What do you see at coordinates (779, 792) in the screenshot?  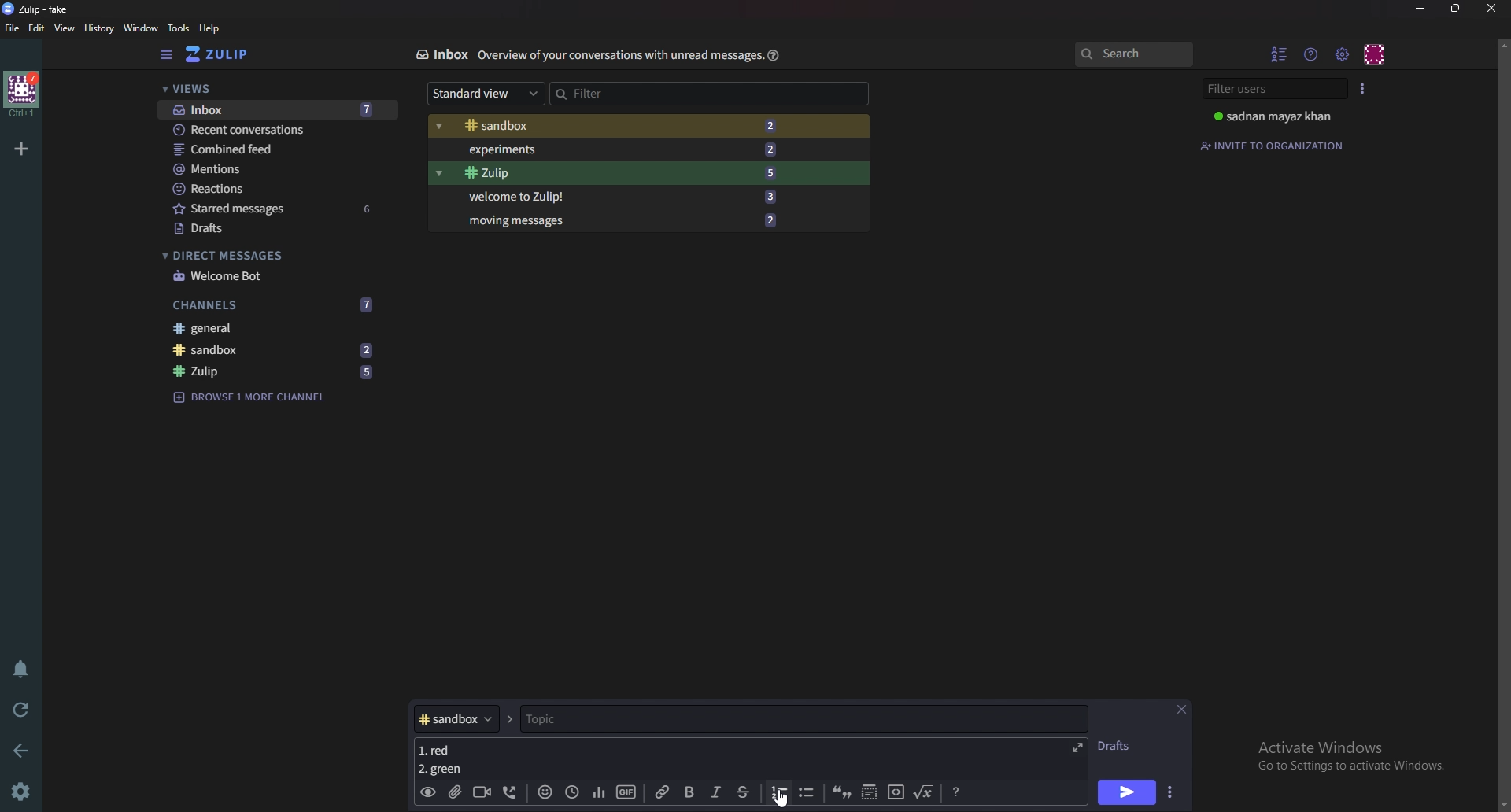 I see `number list` at bounding box center [779, 792].